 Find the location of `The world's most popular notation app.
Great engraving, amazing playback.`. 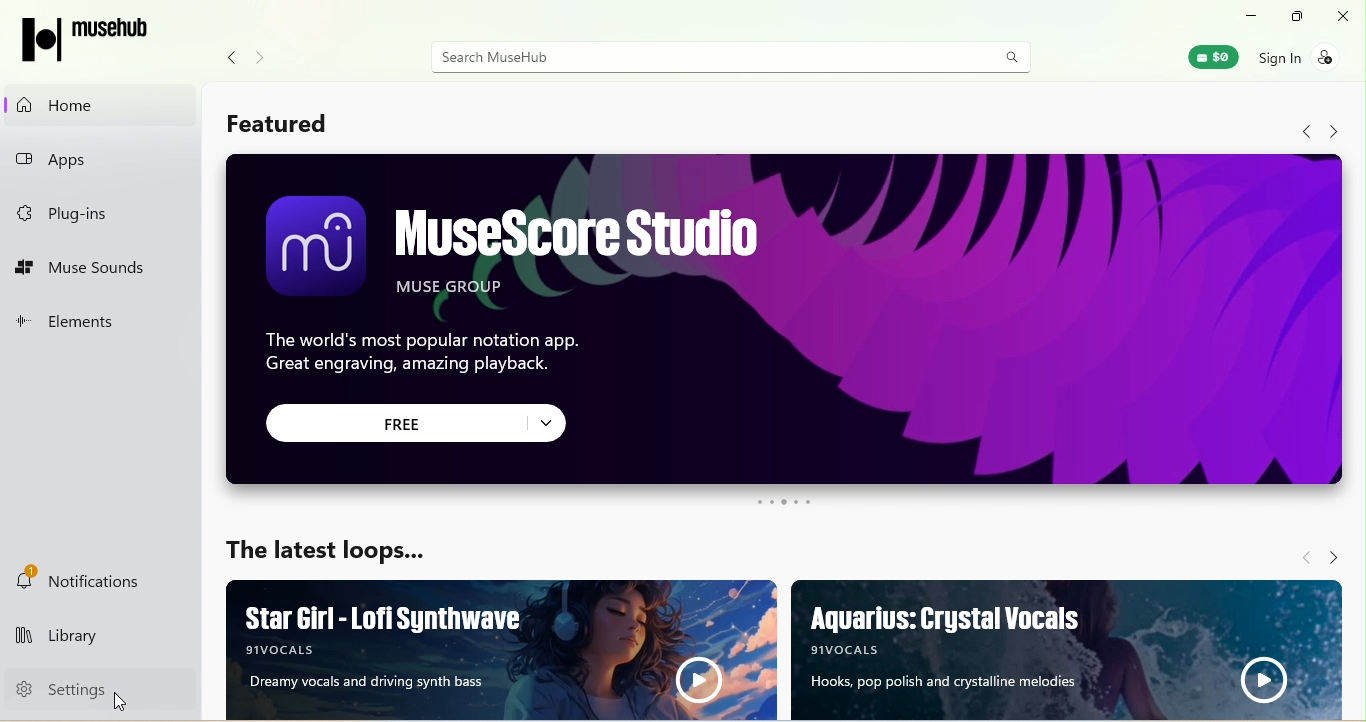

The world's most popular notation app.
Great engraving, amazing playback. is located at coordinates (423, 351).